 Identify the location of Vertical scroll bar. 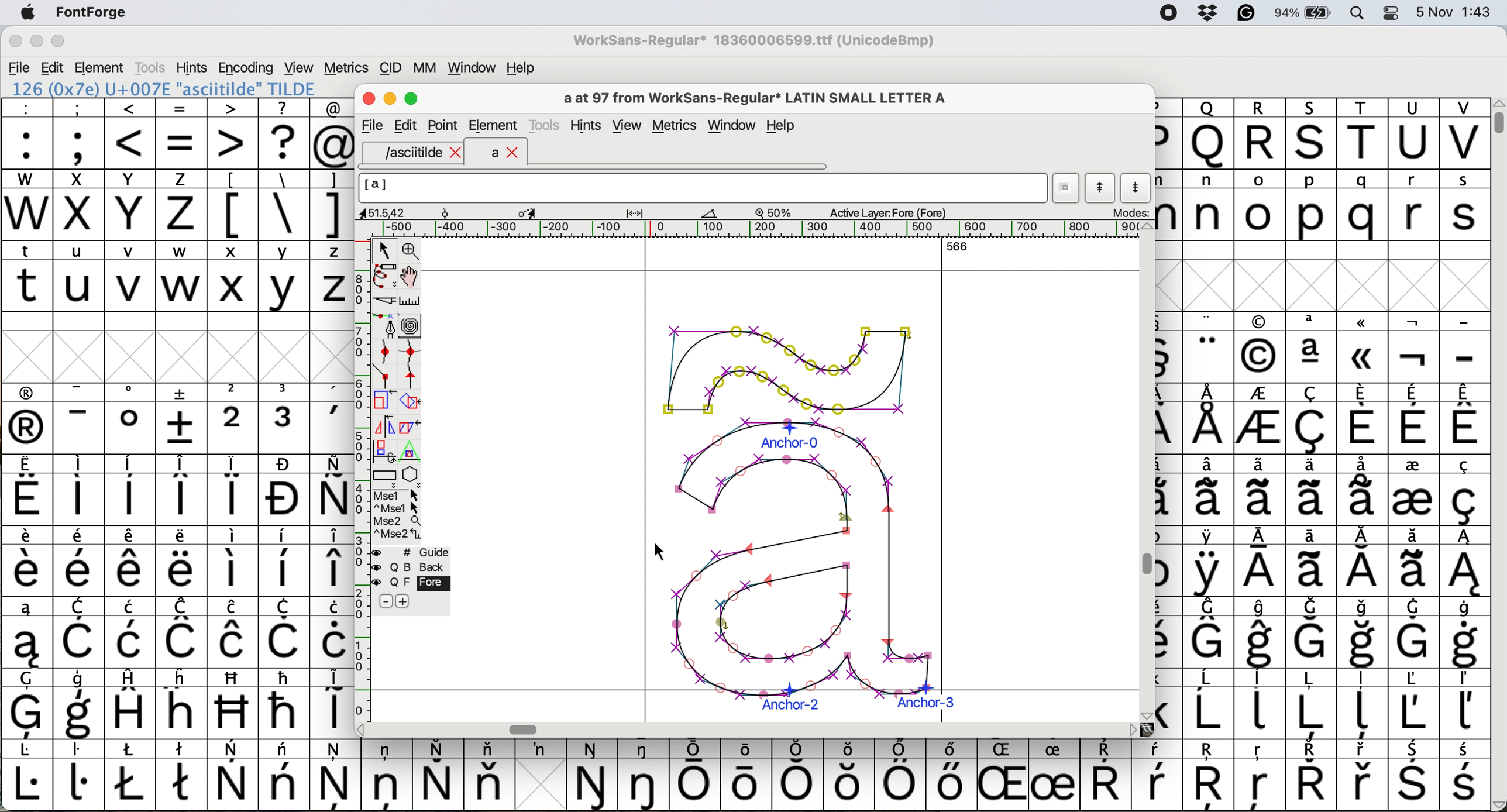
(1143, 566).